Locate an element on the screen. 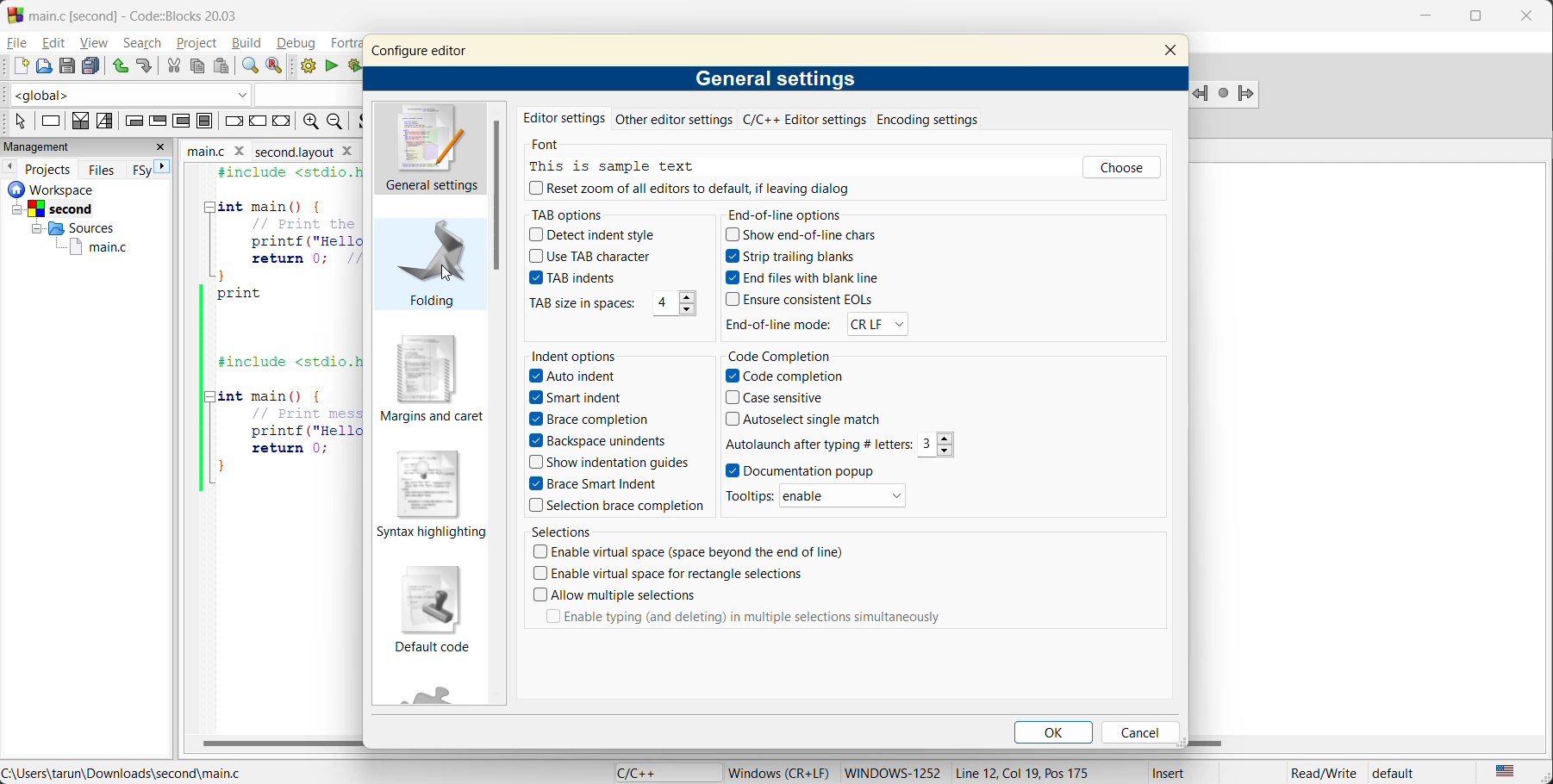 The width and height of the screenshot is (1553, 784). return instruction is located at coordinates (282, 123).